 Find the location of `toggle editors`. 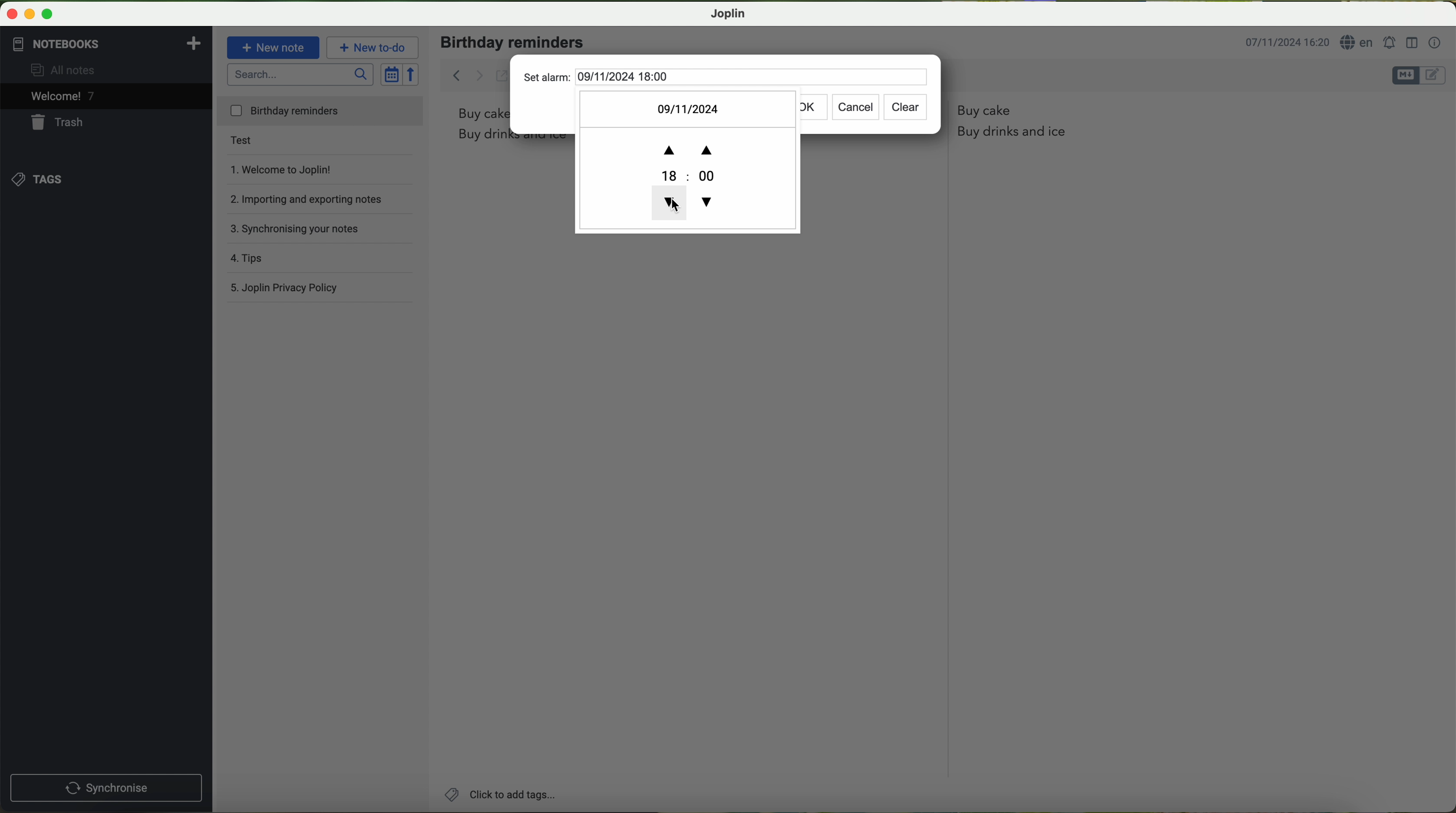

toggle editors is located at coordinates (1420, 76).